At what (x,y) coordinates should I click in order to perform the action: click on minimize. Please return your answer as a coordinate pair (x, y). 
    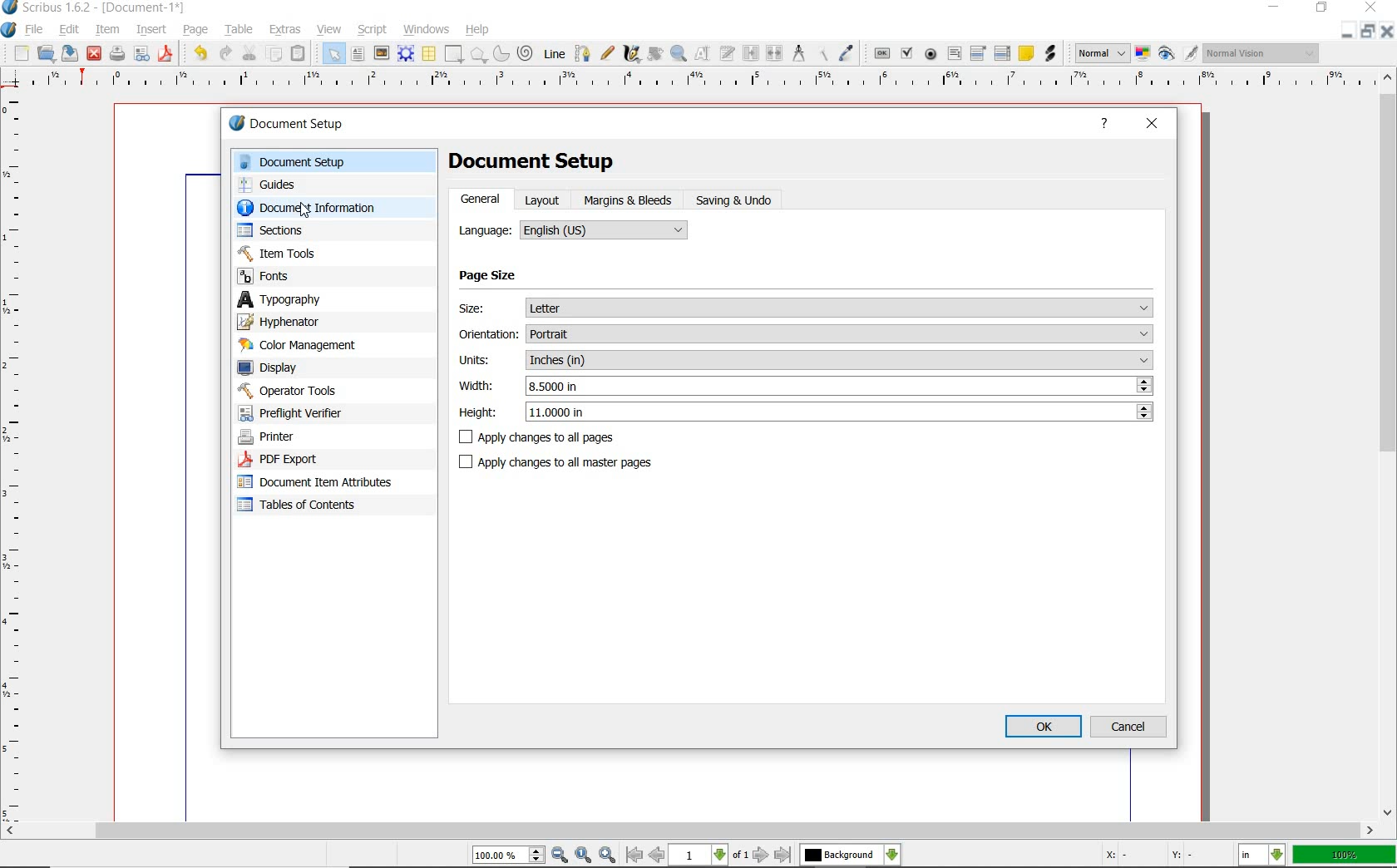
    Looking at the image, I should click on (1349, 32).